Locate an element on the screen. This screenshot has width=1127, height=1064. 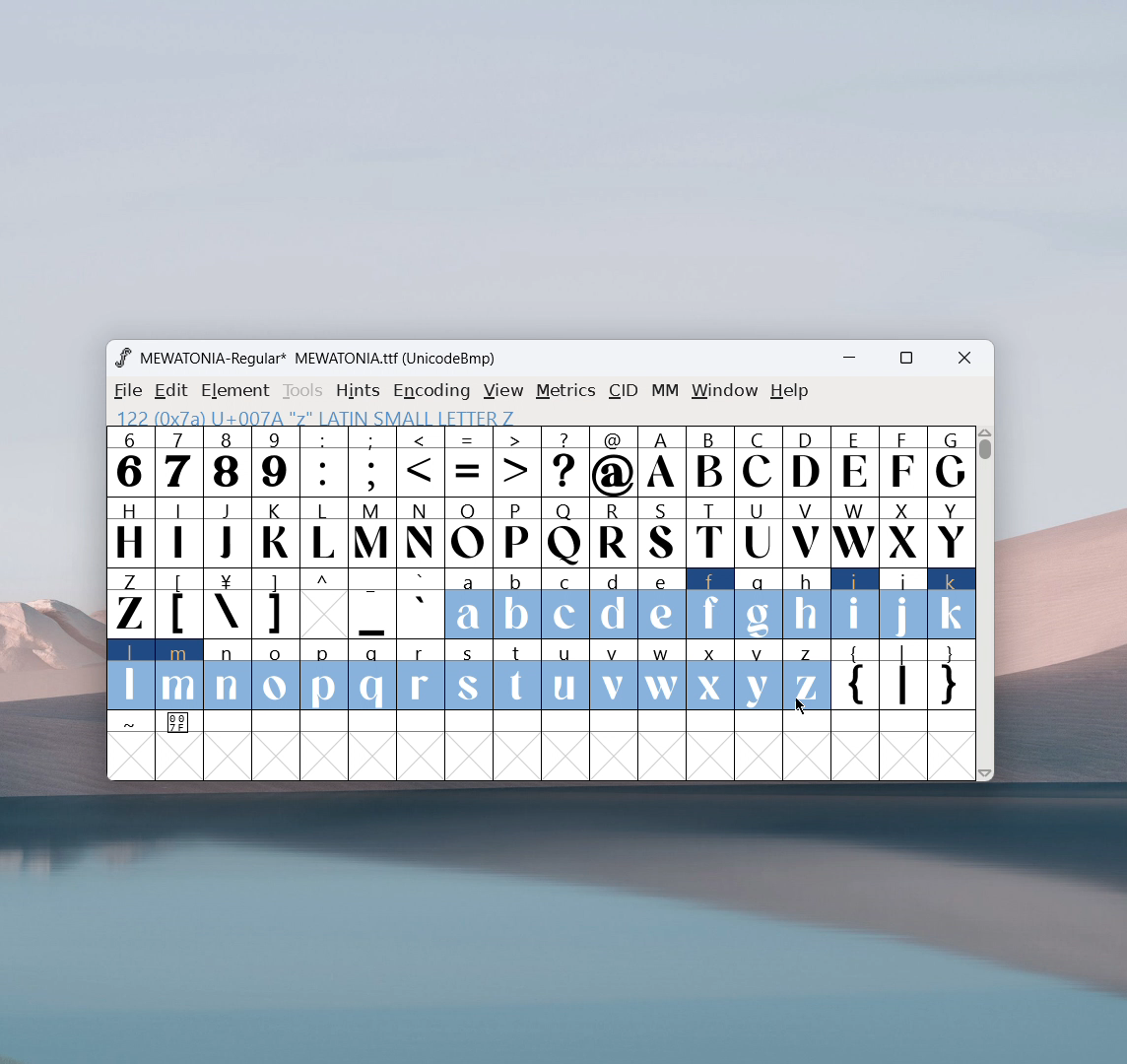
k is located at coordinates (953, 604).